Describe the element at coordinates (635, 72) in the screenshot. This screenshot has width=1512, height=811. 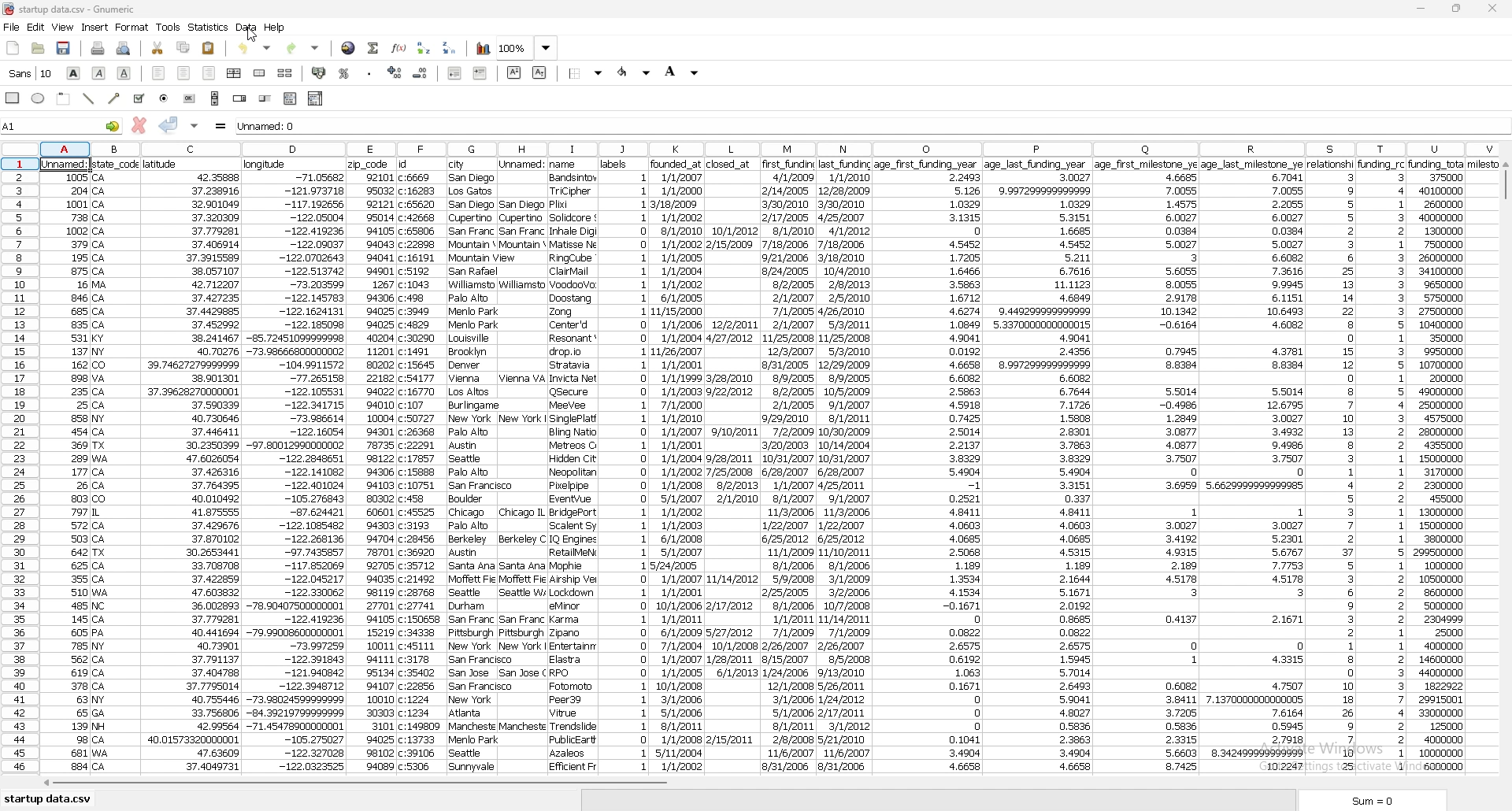
I see `foreground` at that location.